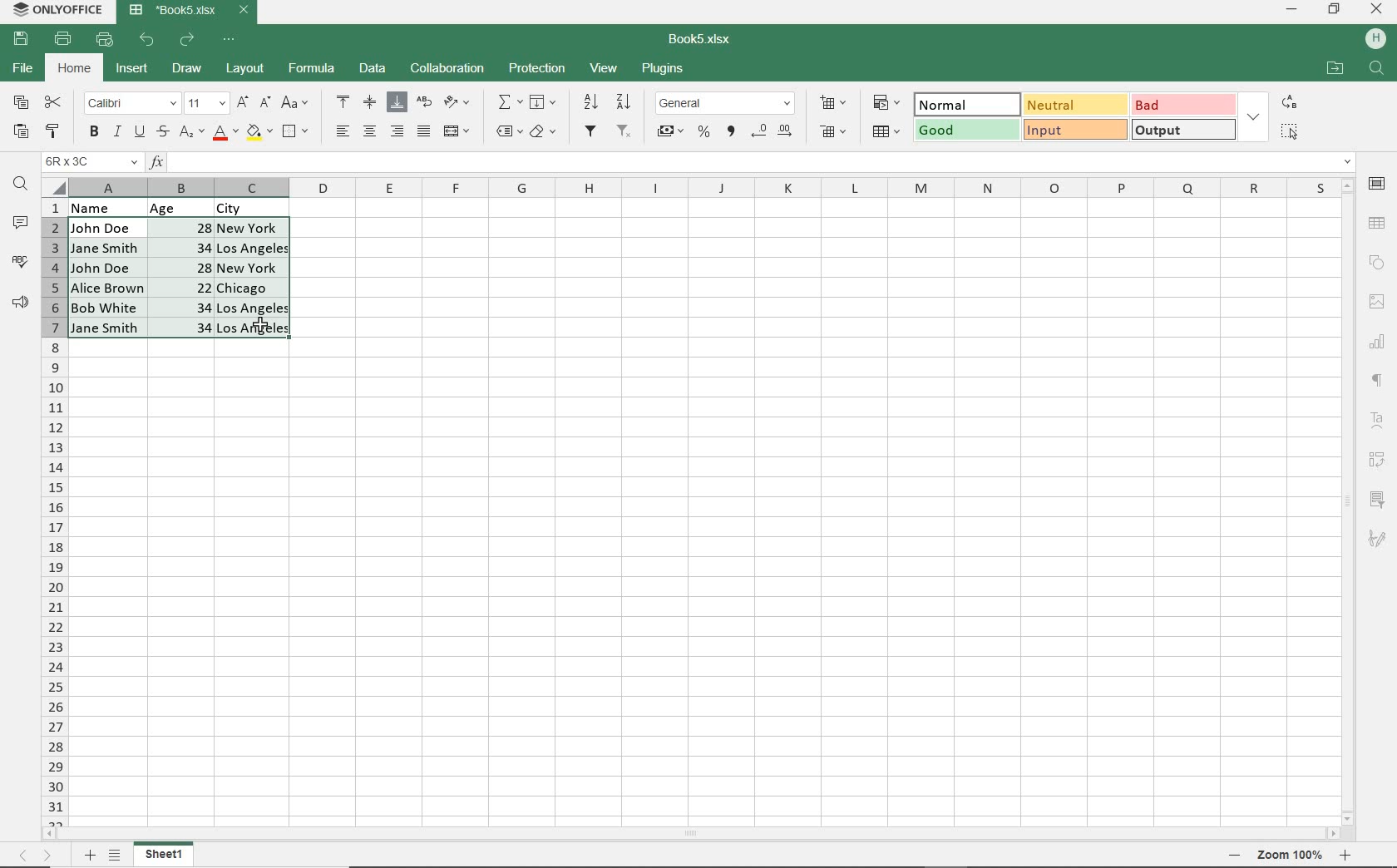 This screenshot has width=1397, height=868. What do you see at coordinates (243, 102) in the screenshot?
I see `INCREMENT FONT SIZE` at bounding box center [243, 102].